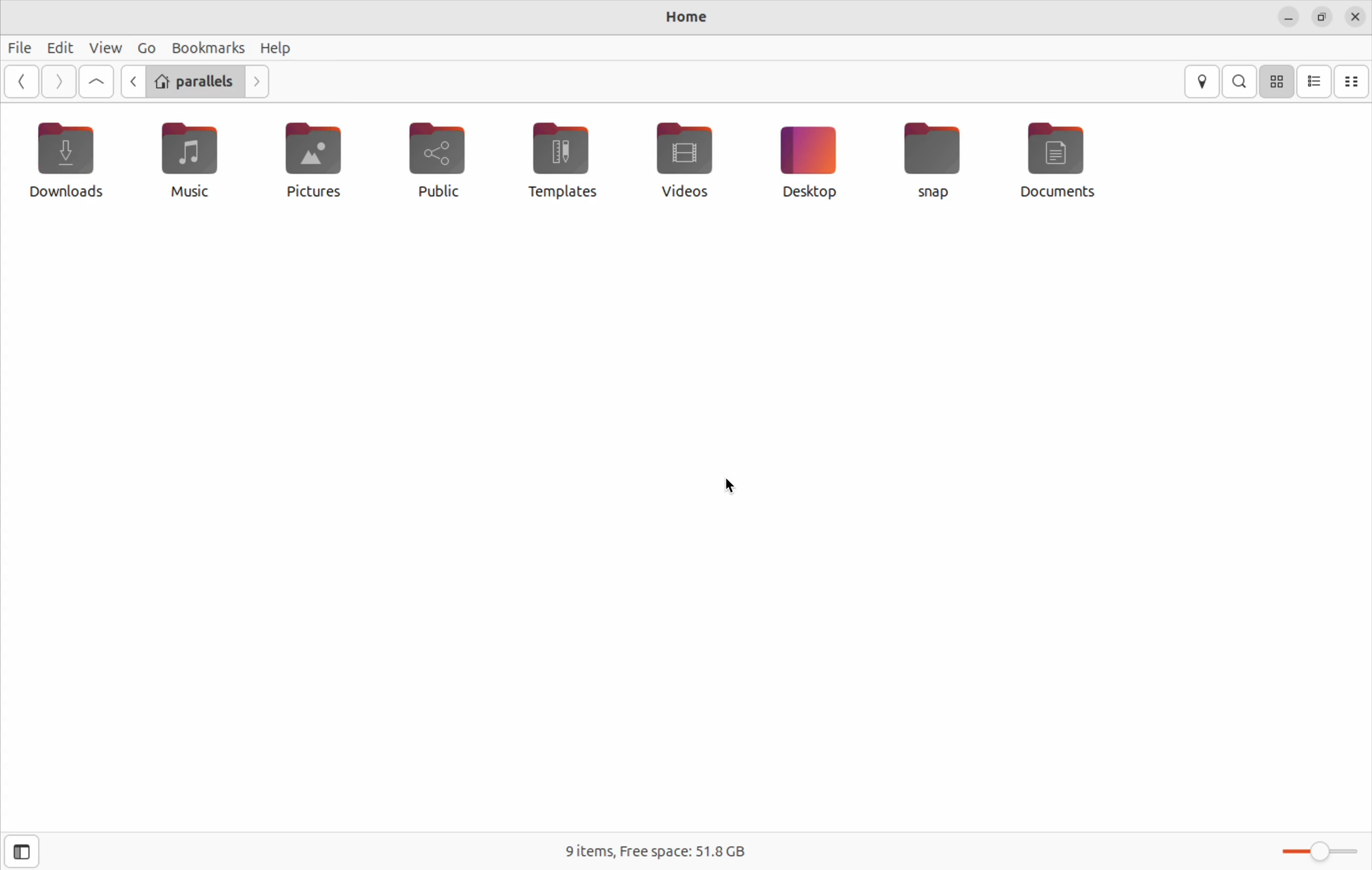 The width and height of the screenshot is (1372, 870). Describe the element at coordinates (1202, 81) in the screenshot. I see `location` at that location.